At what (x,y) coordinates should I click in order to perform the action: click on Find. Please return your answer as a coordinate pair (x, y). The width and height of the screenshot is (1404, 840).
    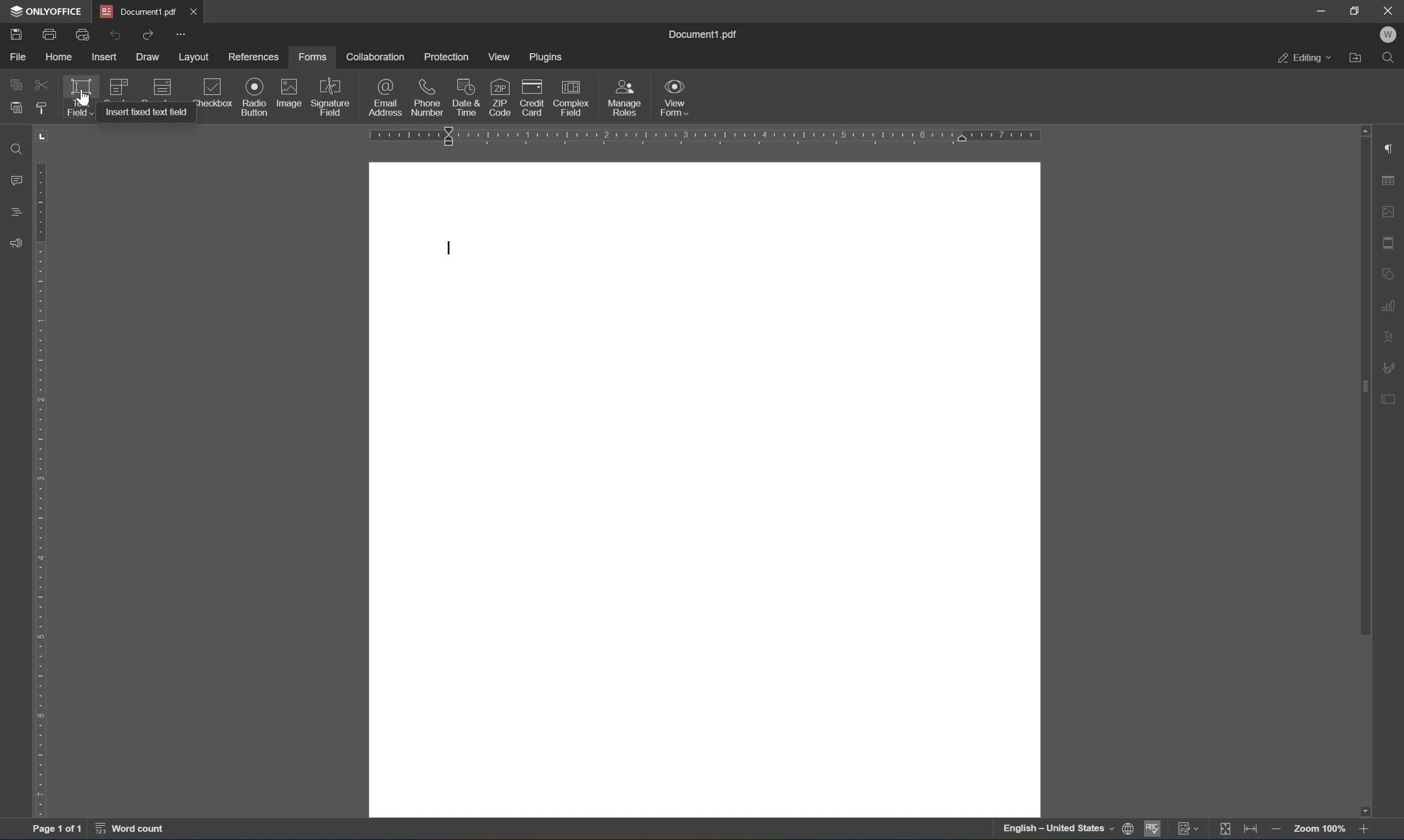
    Looking at the image, I should click on (1393, 58).